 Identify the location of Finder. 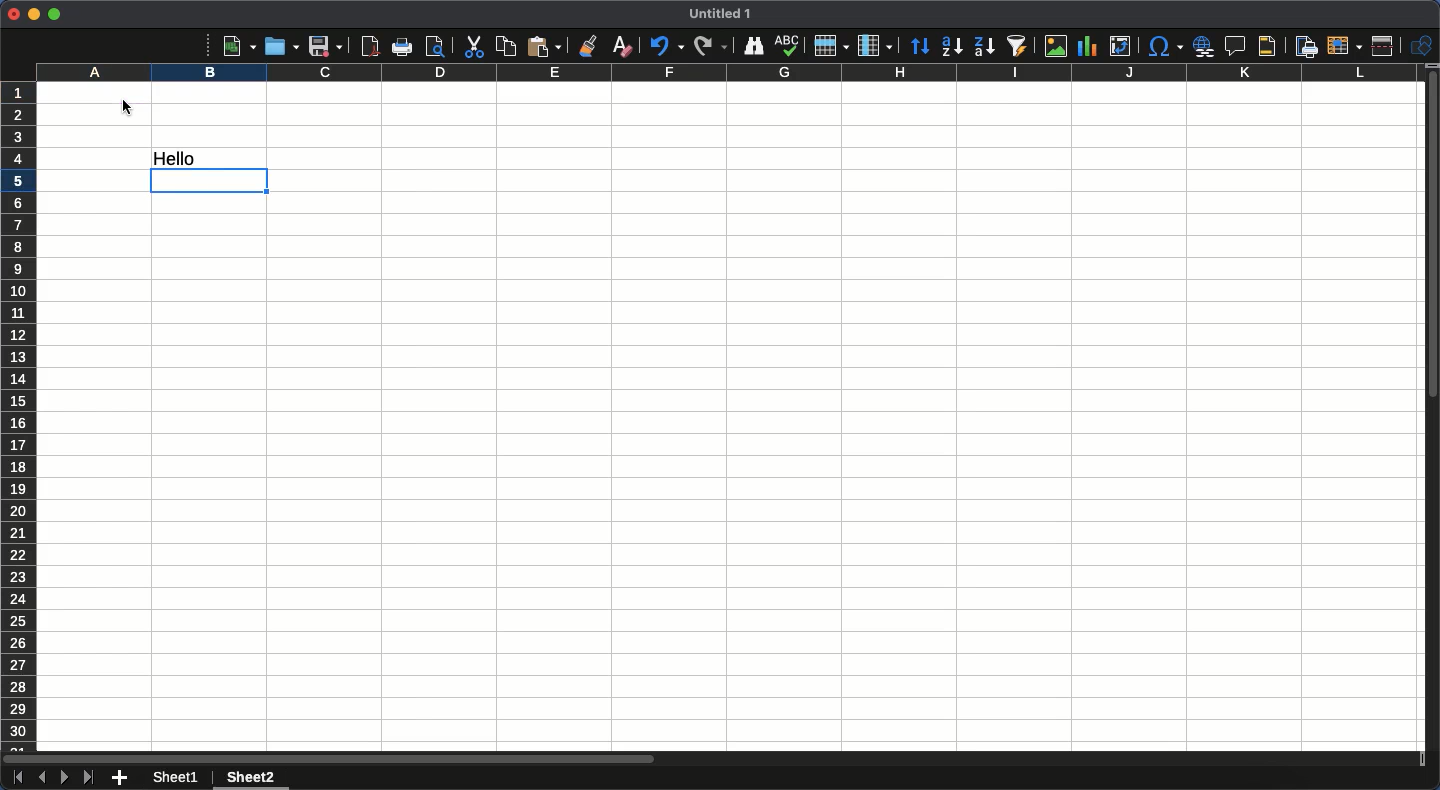
(751, 46).